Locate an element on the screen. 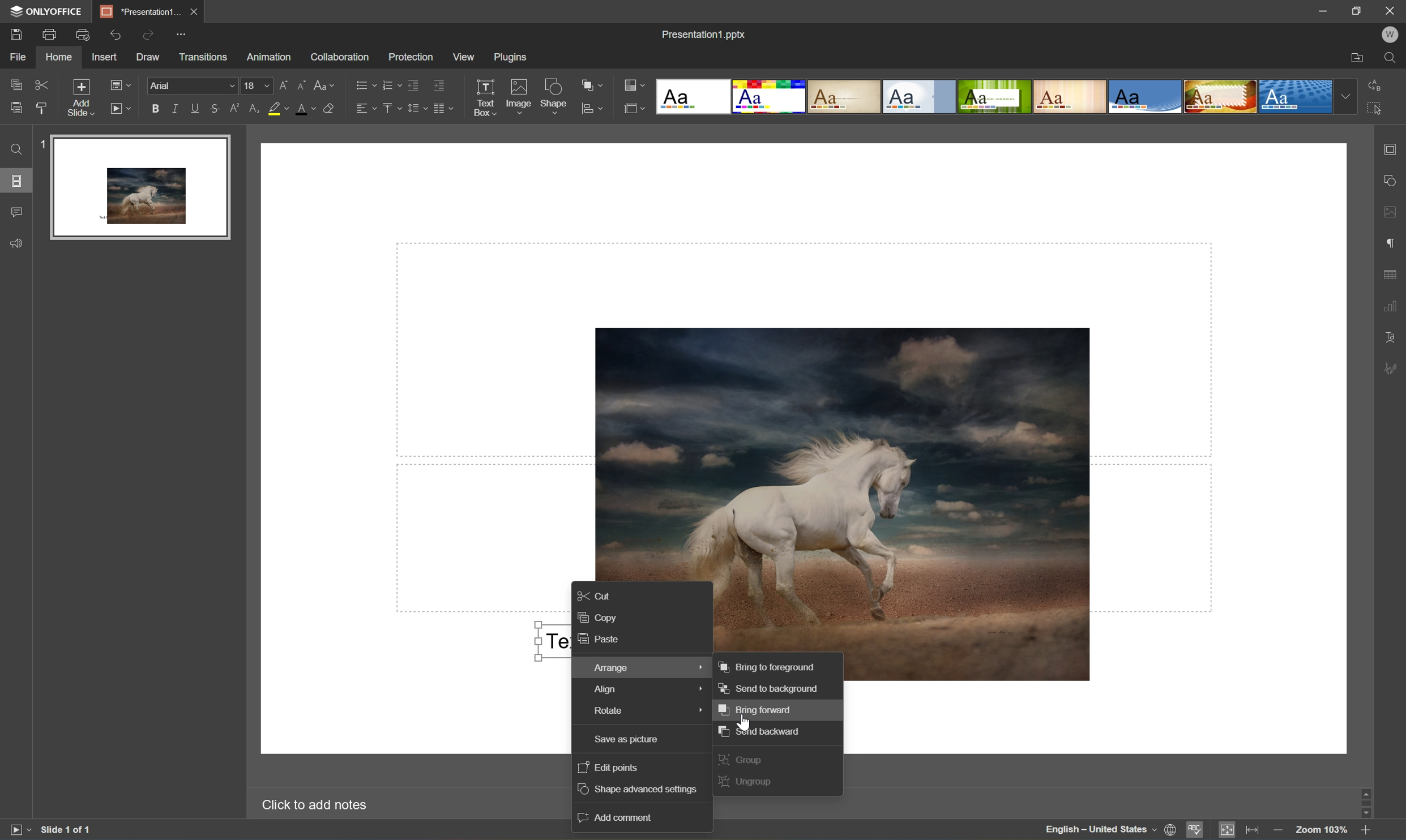 This screenshot has height=840, width=1406. Select all is located at coordinates (1376, 106).